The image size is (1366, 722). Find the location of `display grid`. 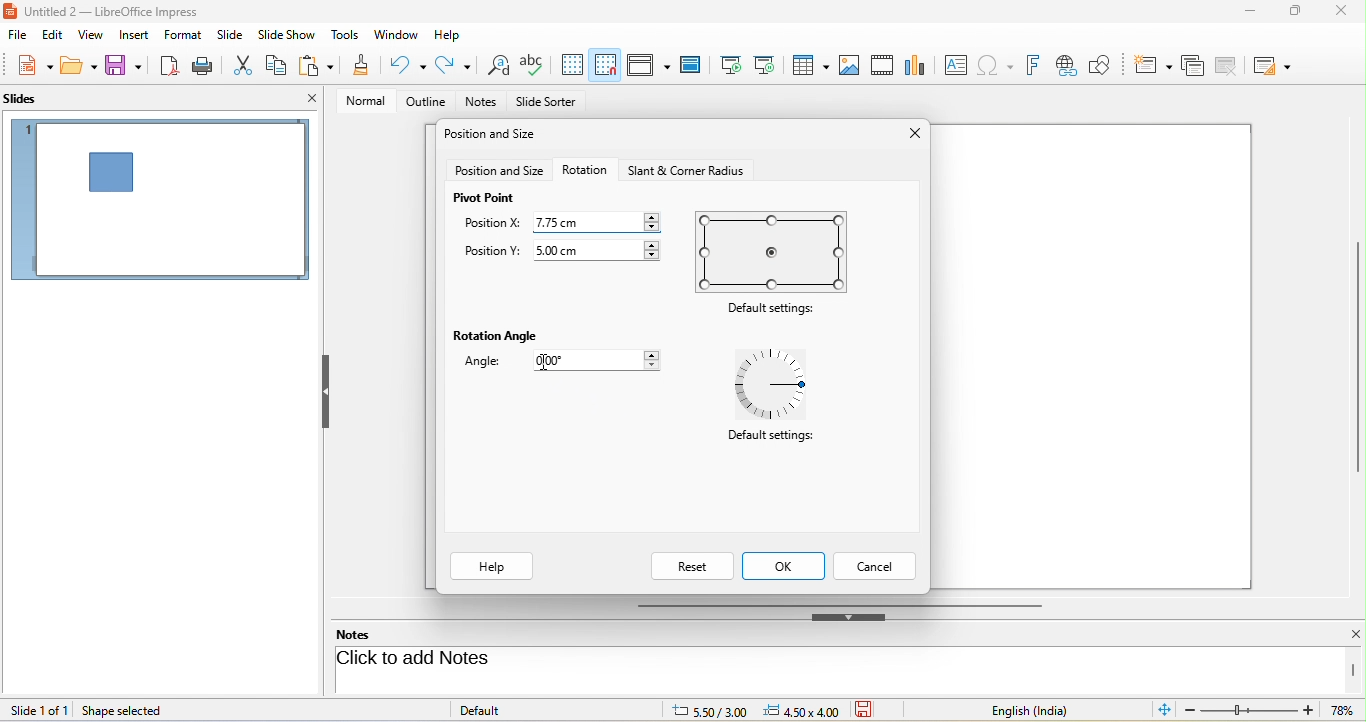

display grid is located at coordinates (572, 65).